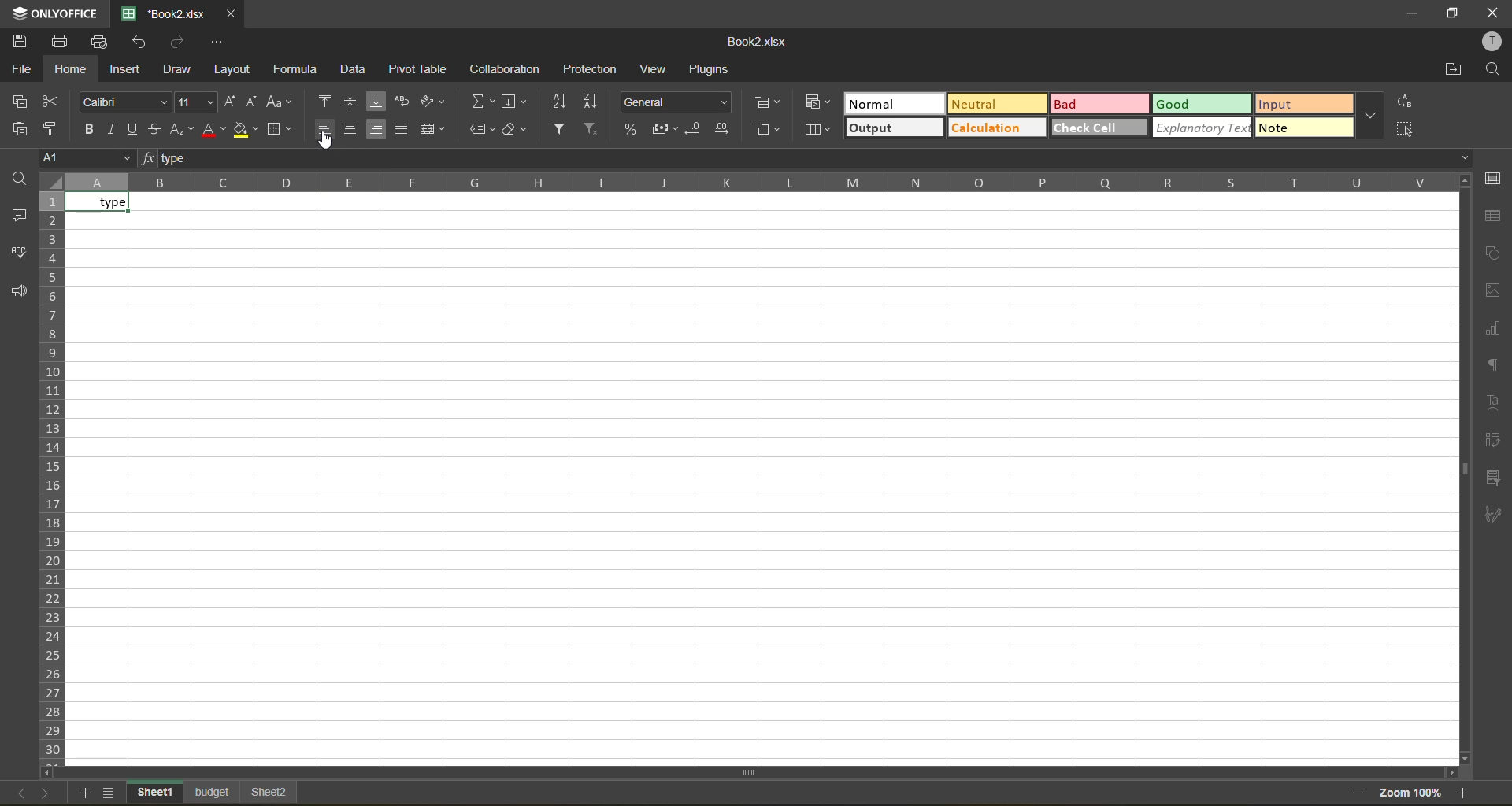 The image size is (1512, 806). I want to click on calculation, so click(995, 127).